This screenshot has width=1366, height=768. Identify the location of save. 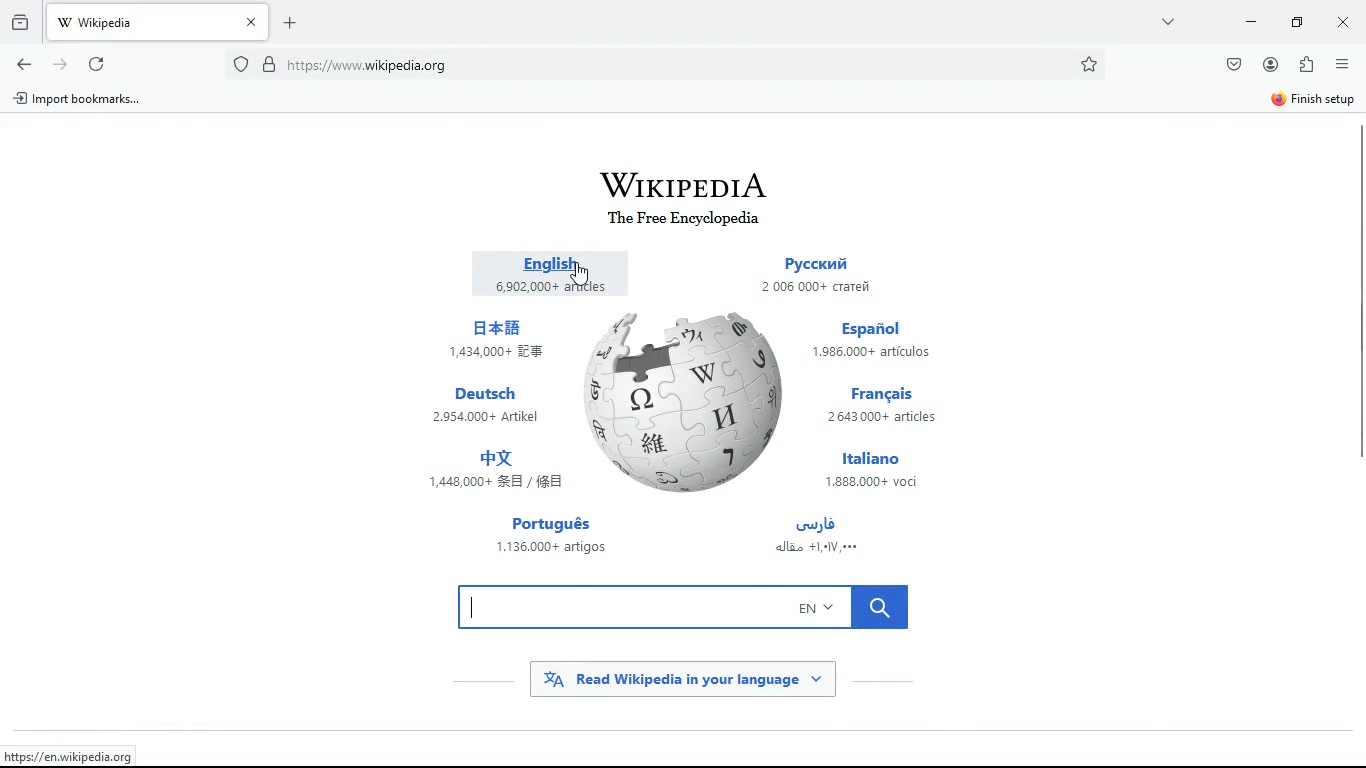
(1233, 64).